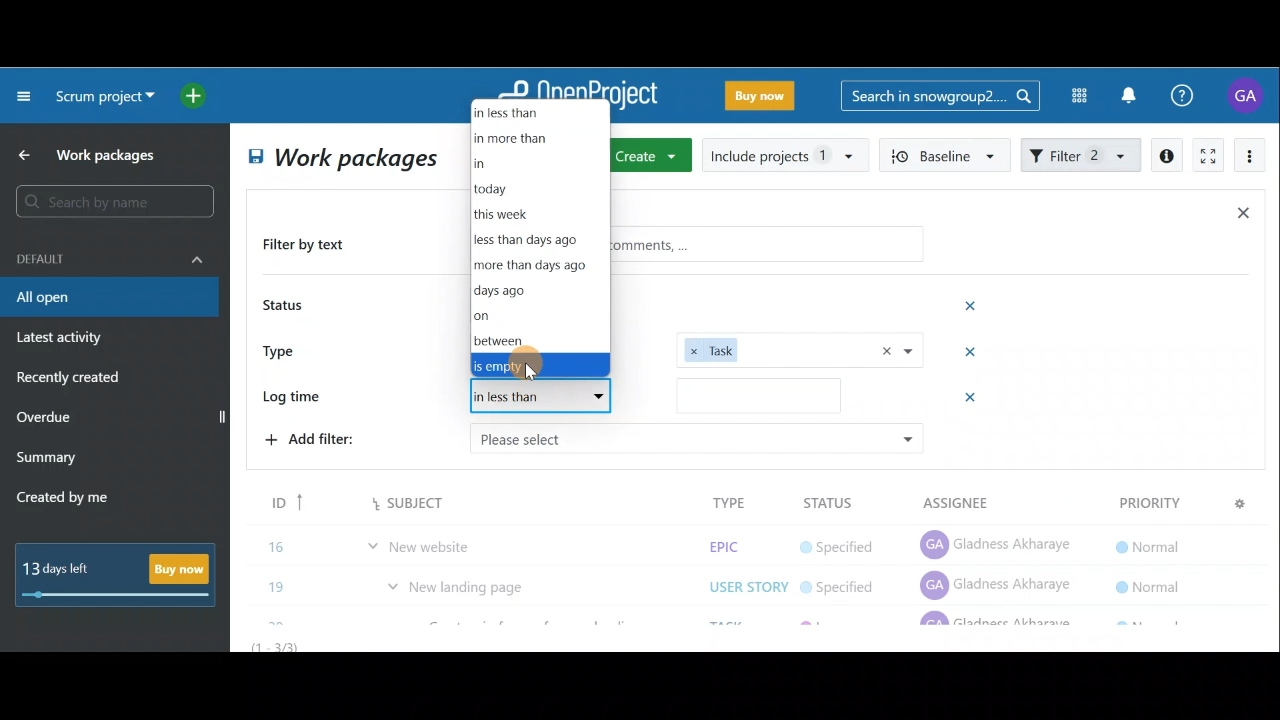 The height and width of the screenshot is (720, 1280). I want to click on Item 15, so click(465, 536).